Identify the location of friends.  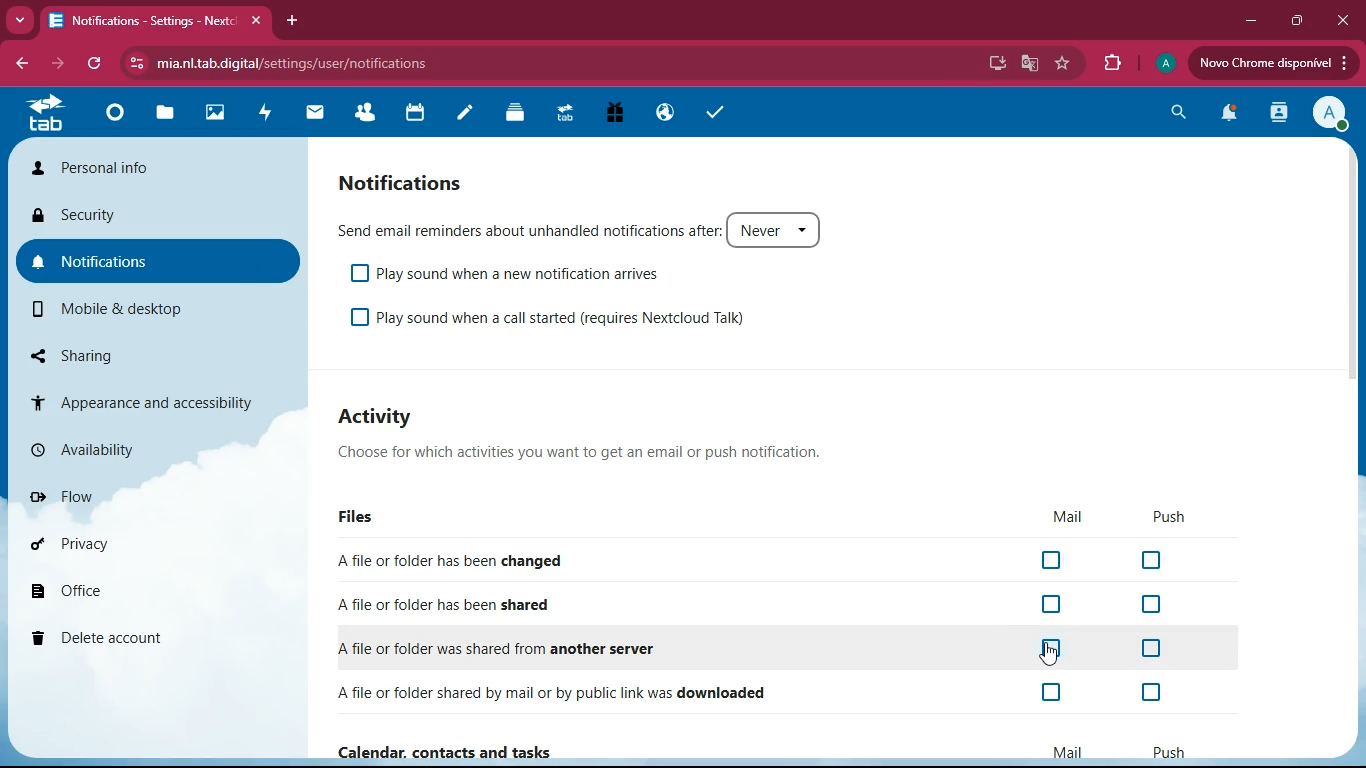
(359, 113).